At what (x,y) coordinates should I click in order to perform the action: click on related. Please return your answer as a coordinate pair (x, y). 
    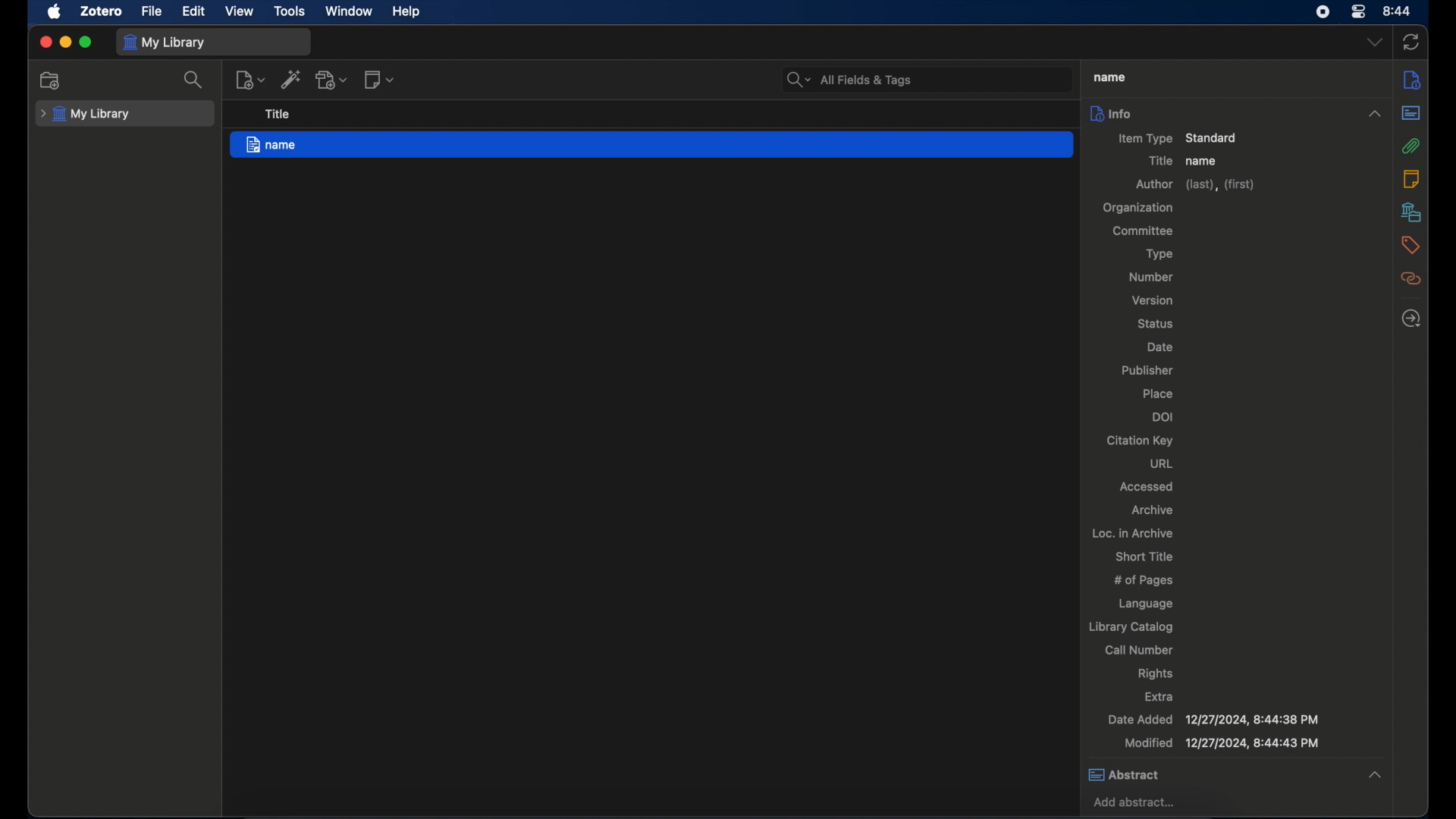
    Looking at the image, I should click on (1411, 279).